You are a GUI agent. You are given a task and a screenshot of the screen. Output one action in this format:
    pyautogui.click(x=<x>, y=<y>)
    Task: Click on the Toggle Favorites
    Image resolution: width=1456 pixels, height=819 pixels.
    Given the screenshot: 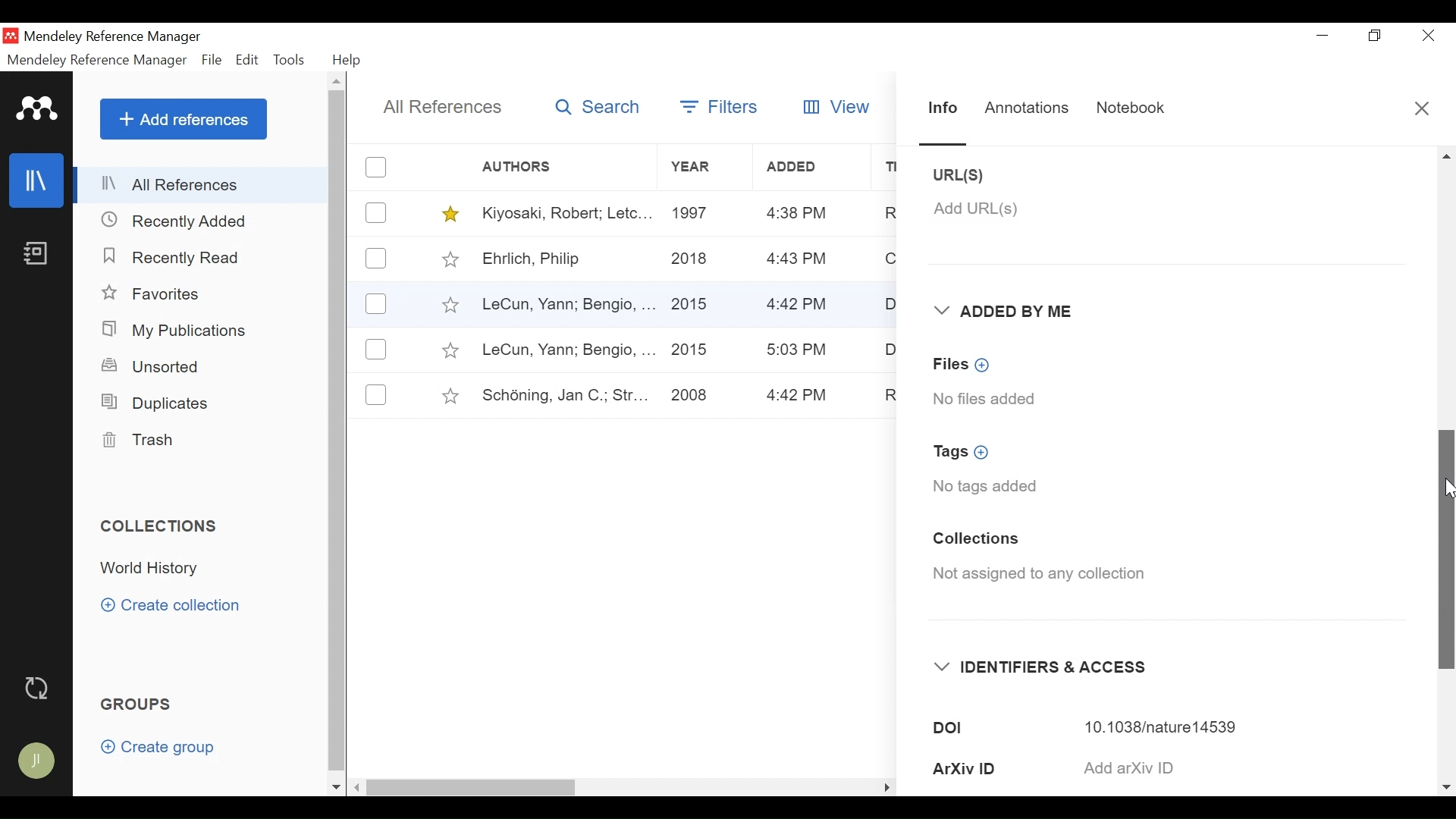 What is the action you would take?
    pyautogui.click(x=449, y=350)
    